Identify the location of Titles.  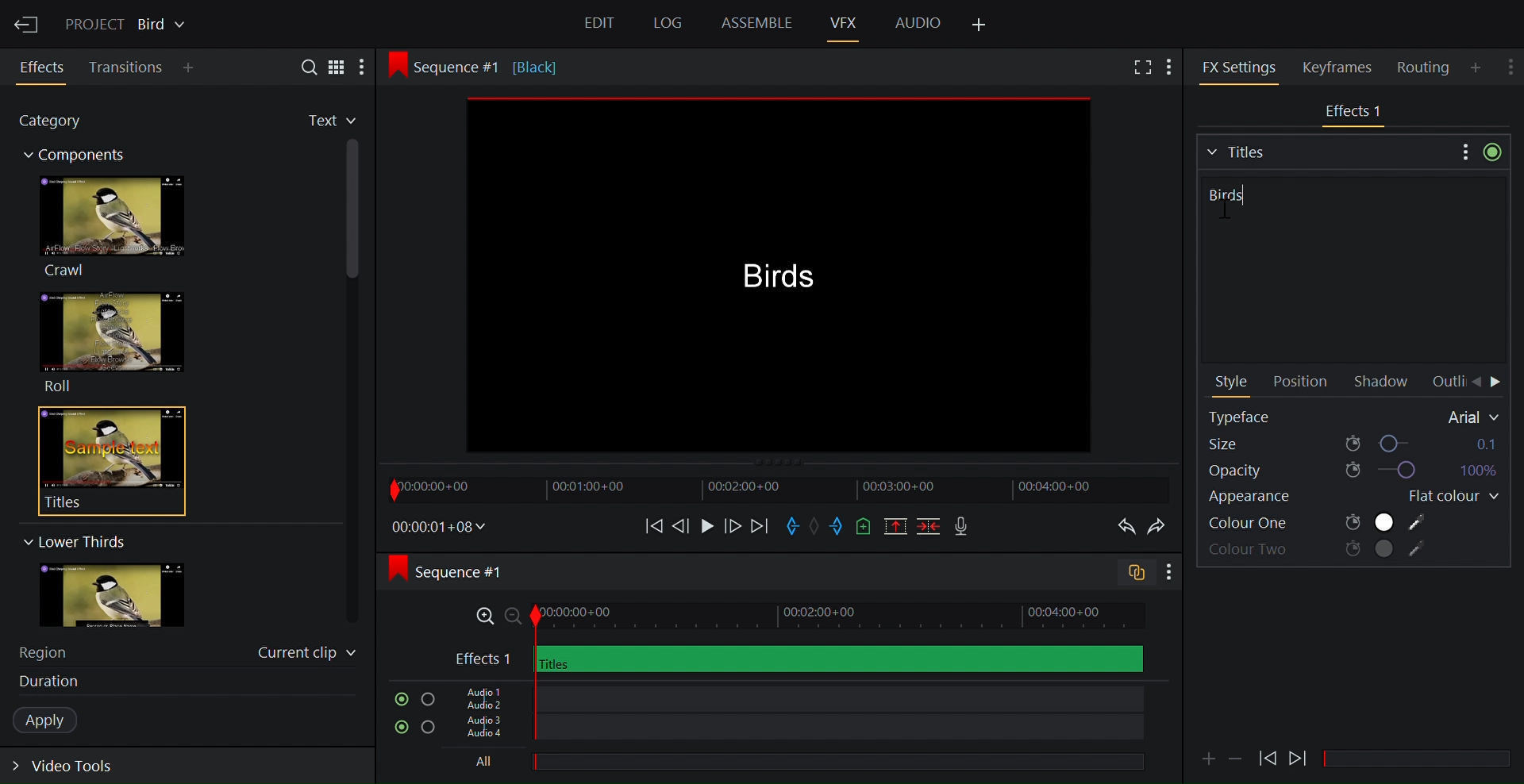
(102, 460).